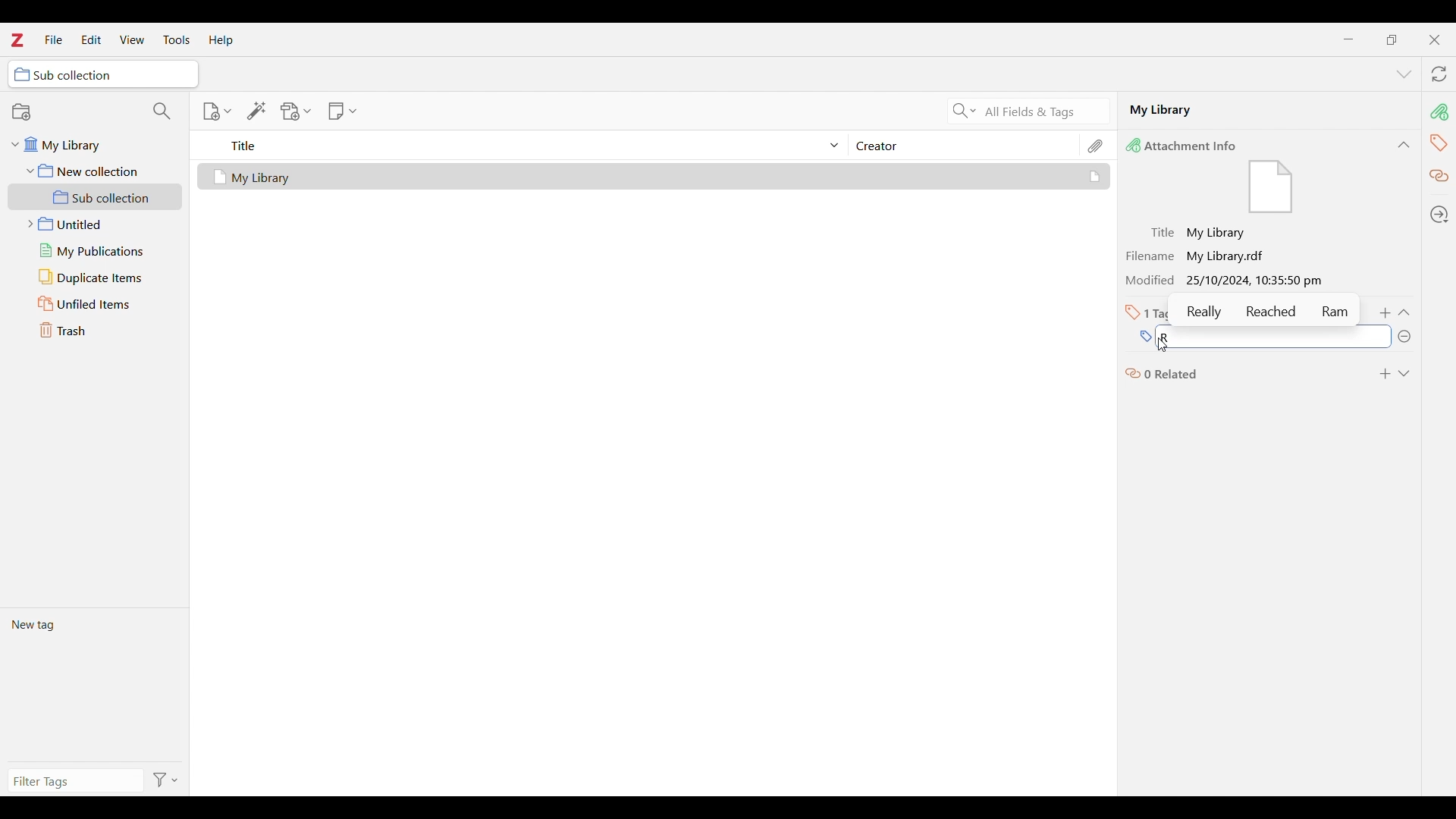 This screenshot has height=819, width=1456. Describe the element at coordinates (1200, 256) in the screenshot. I see `Filename My Library.radt` at that location.